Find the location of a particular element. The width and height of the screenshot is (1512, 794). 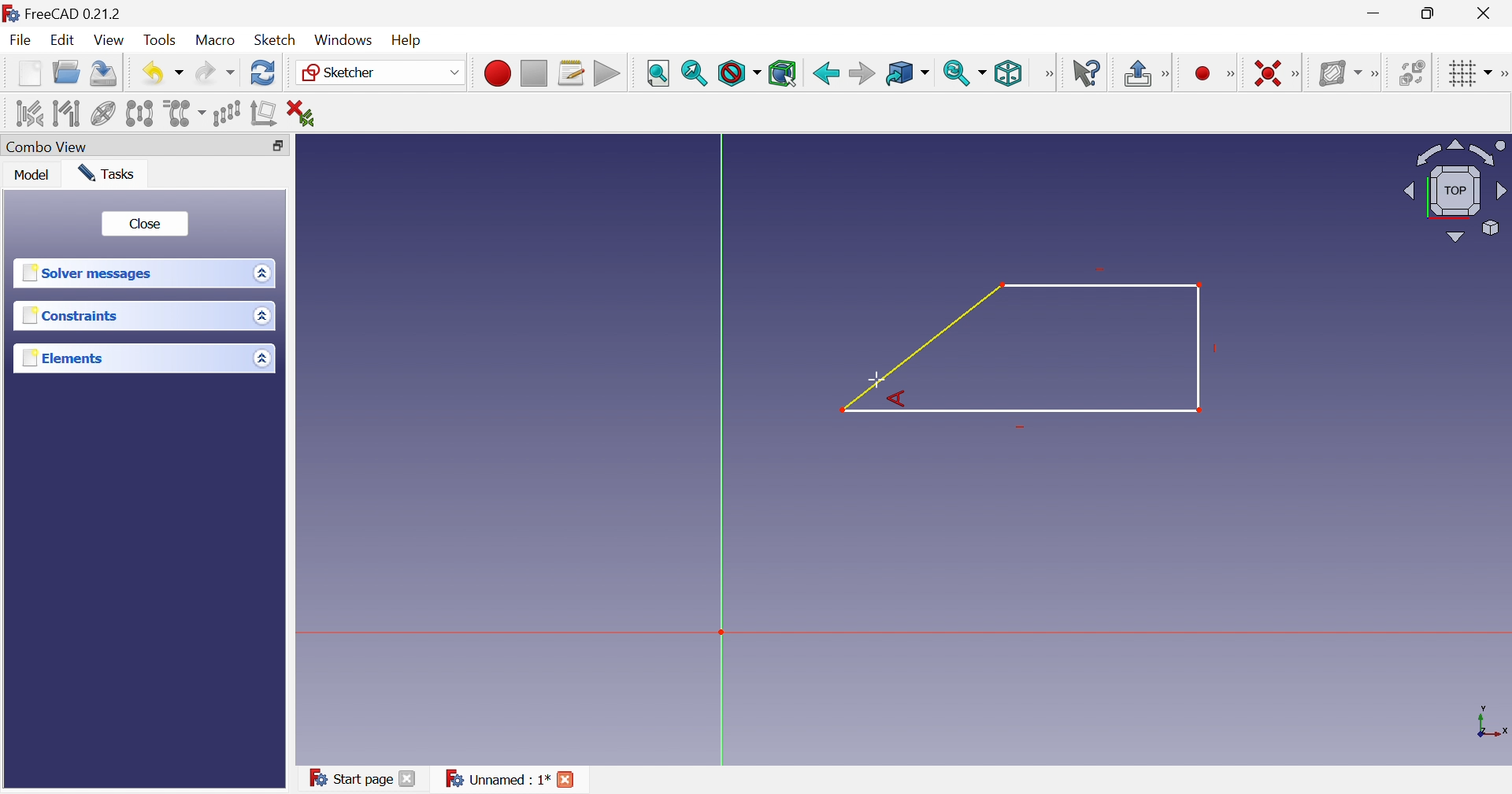

Drop Down is located at coordinates (180, 73).